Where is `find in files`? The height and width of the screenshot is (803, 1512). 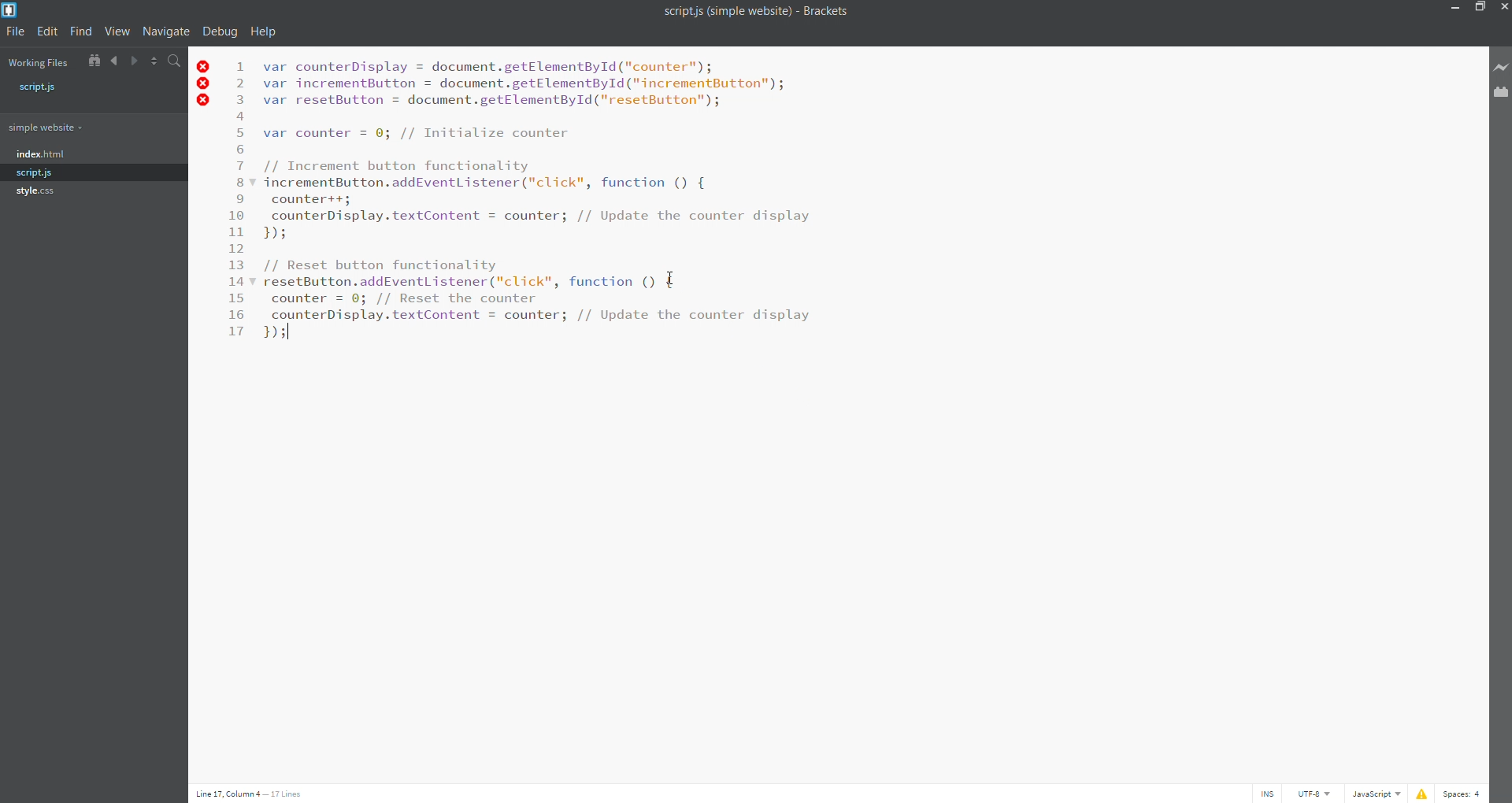
find in files is located at coordinates (173, 59).